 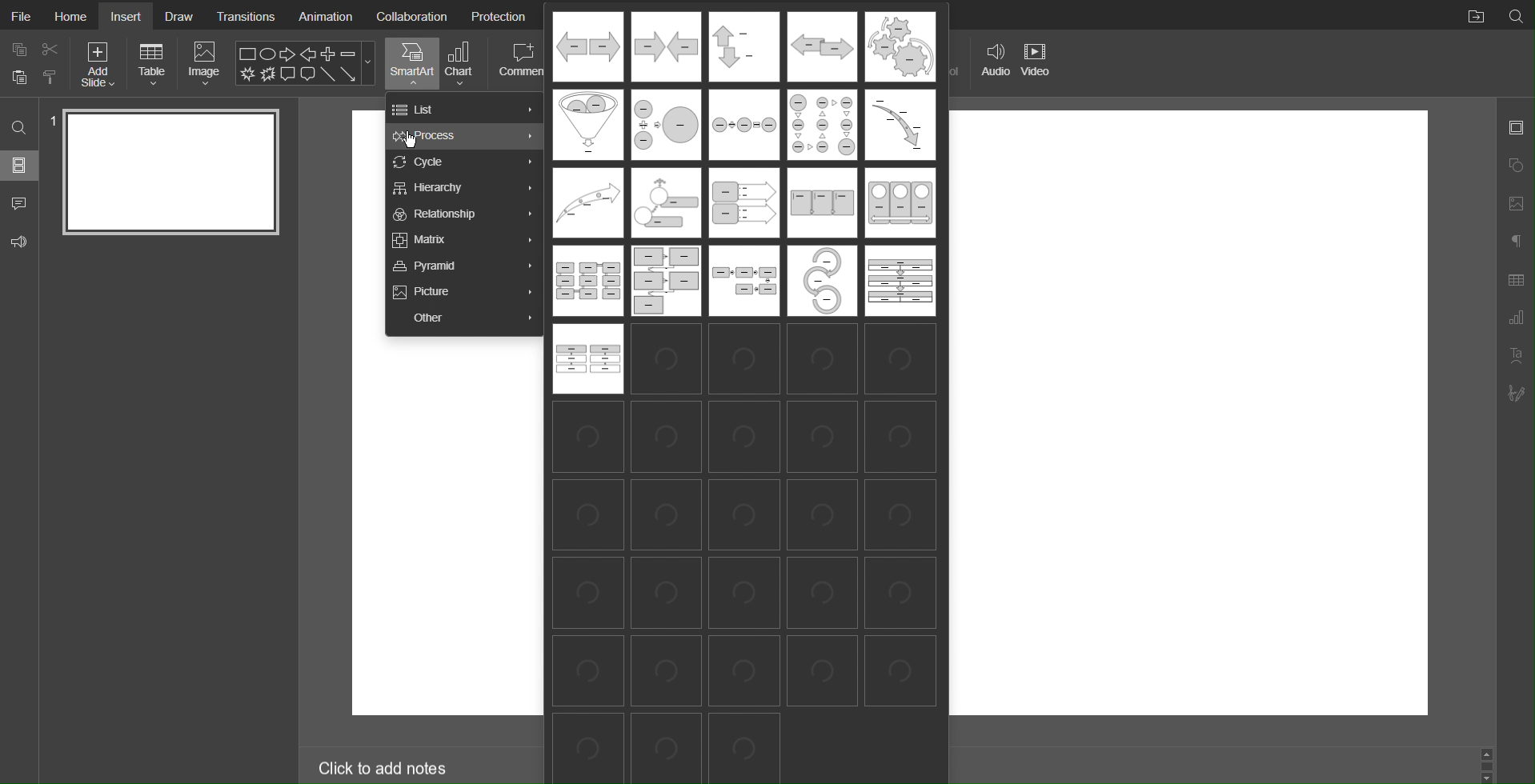 What do you see at coordinates (465, 109) in the screenshot?
I see `List` at bounding box center [465, 109].